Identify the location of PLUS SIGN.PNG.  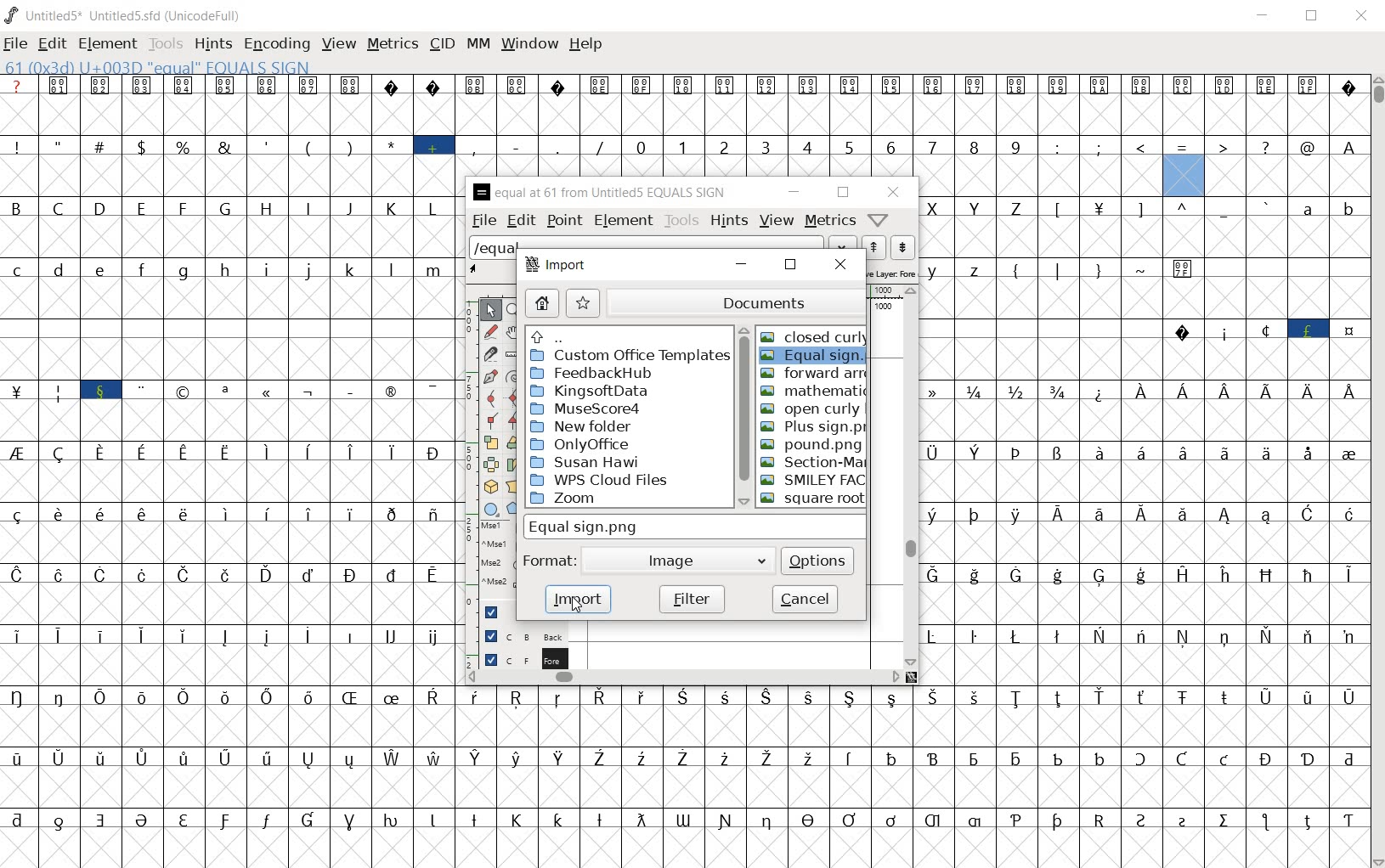
(816, 426).